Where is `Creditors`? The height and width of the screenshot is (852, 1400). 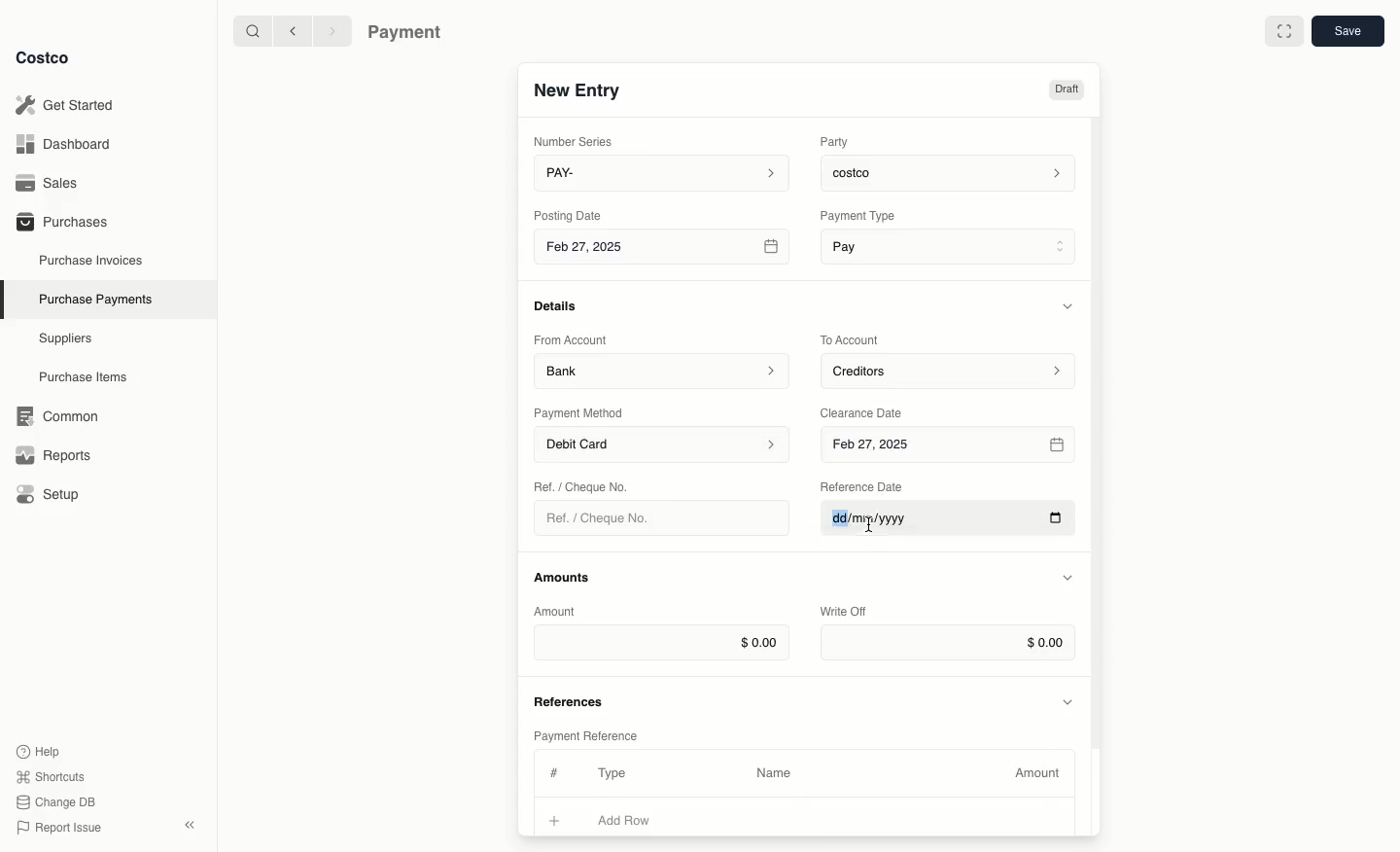
Creditors is located at coordinates (951, 370).